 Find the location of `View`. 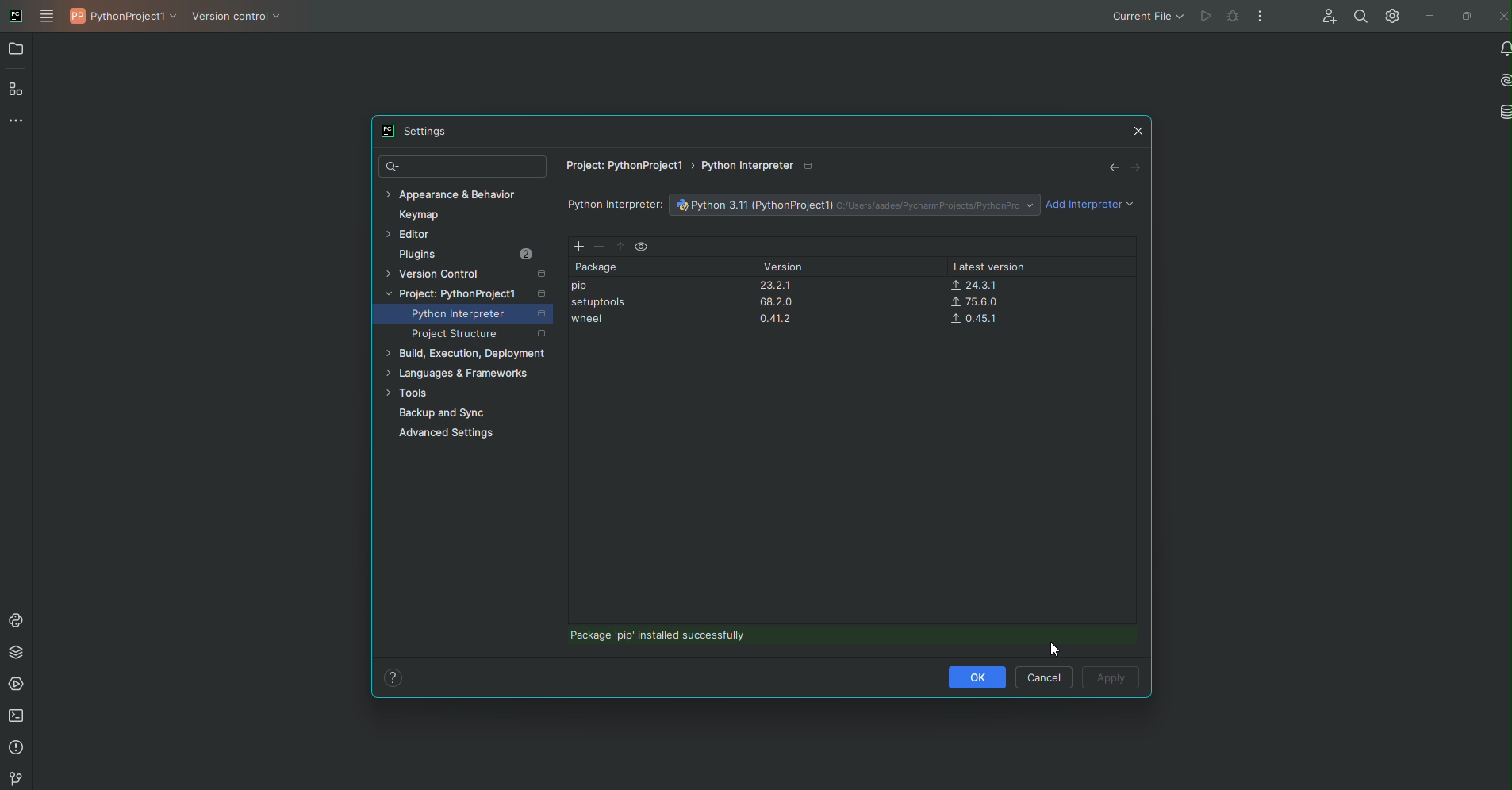

View is located at coordinates (643, 247).